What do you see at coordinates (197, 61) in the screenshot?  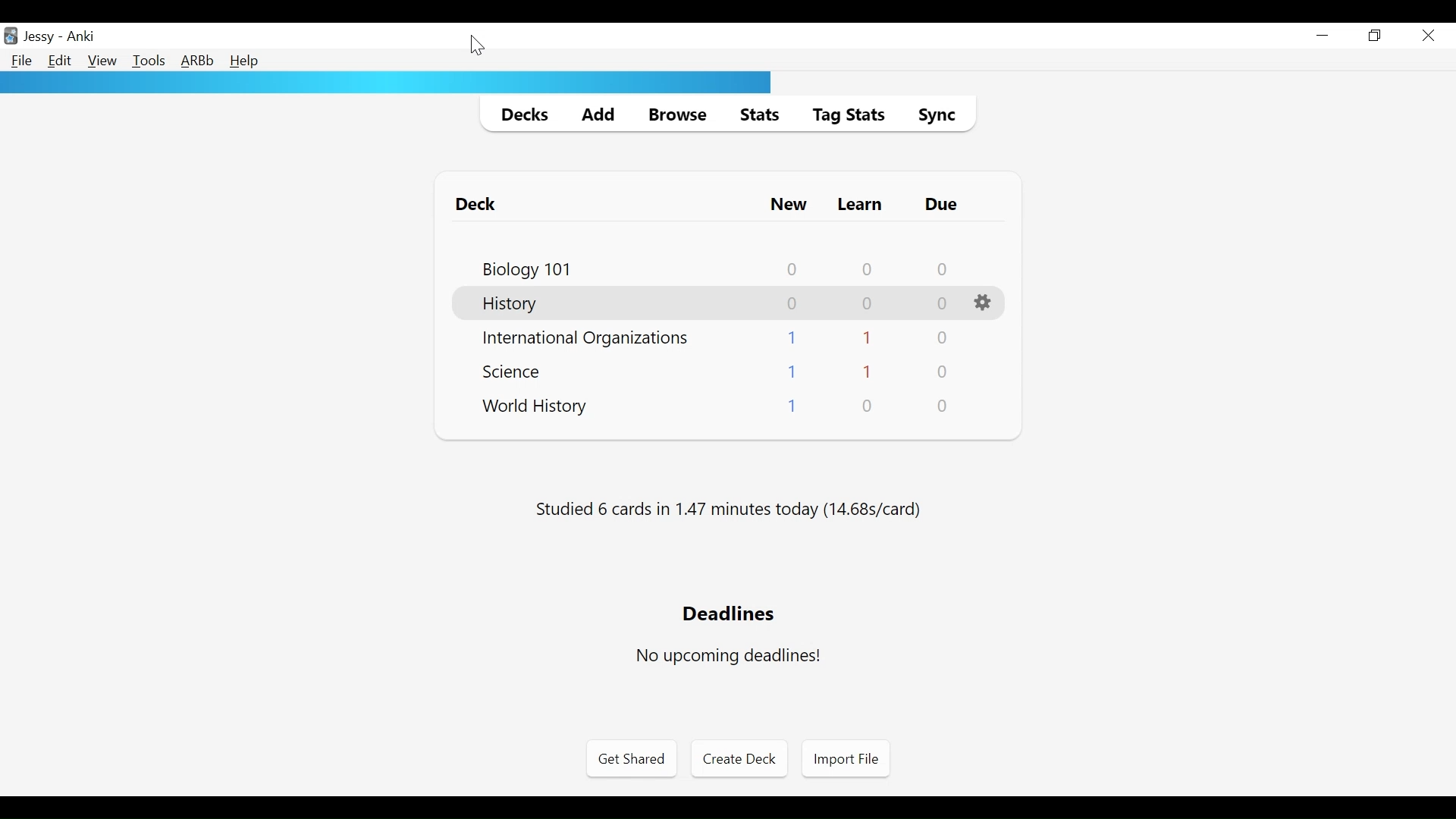 I see `Advanced Review Button bar` at bounding box center [197, 61].